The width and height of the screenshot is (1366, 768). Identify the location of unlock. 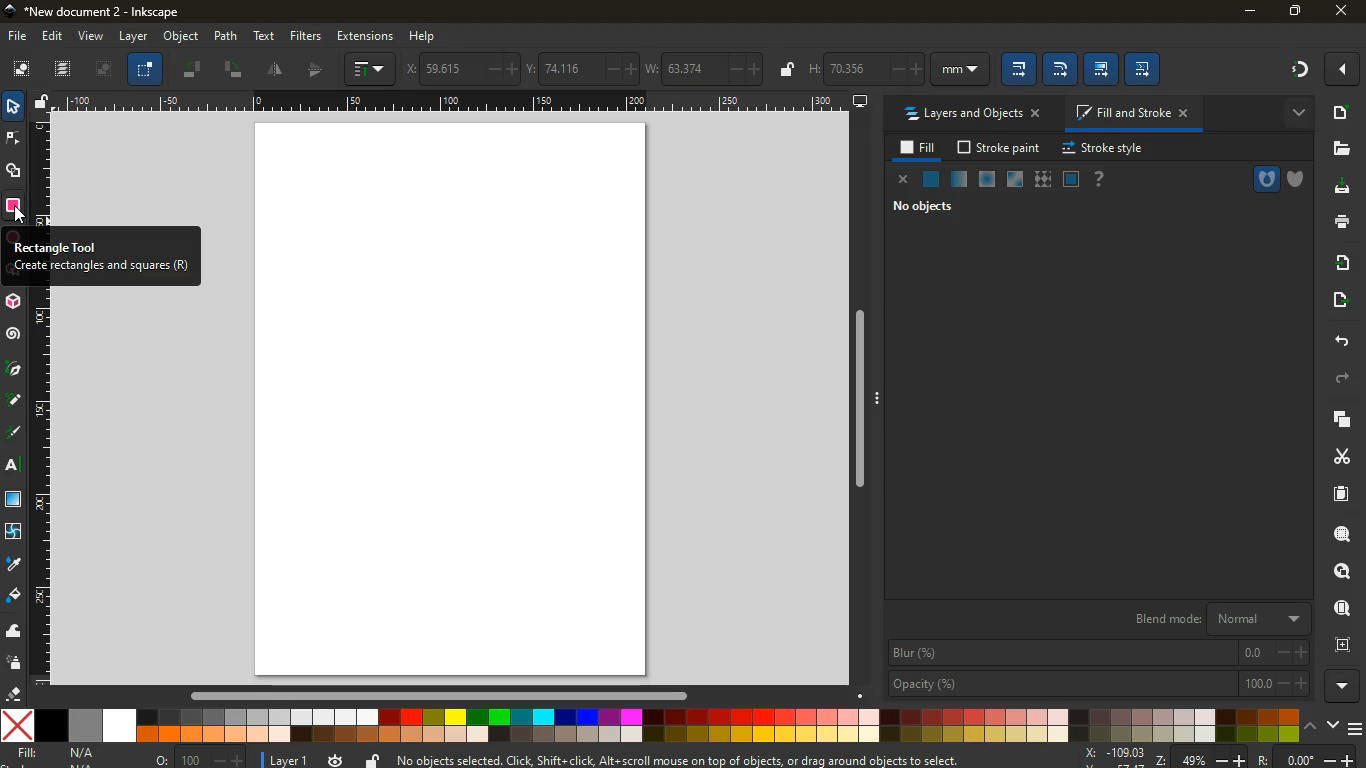
(788, 70).